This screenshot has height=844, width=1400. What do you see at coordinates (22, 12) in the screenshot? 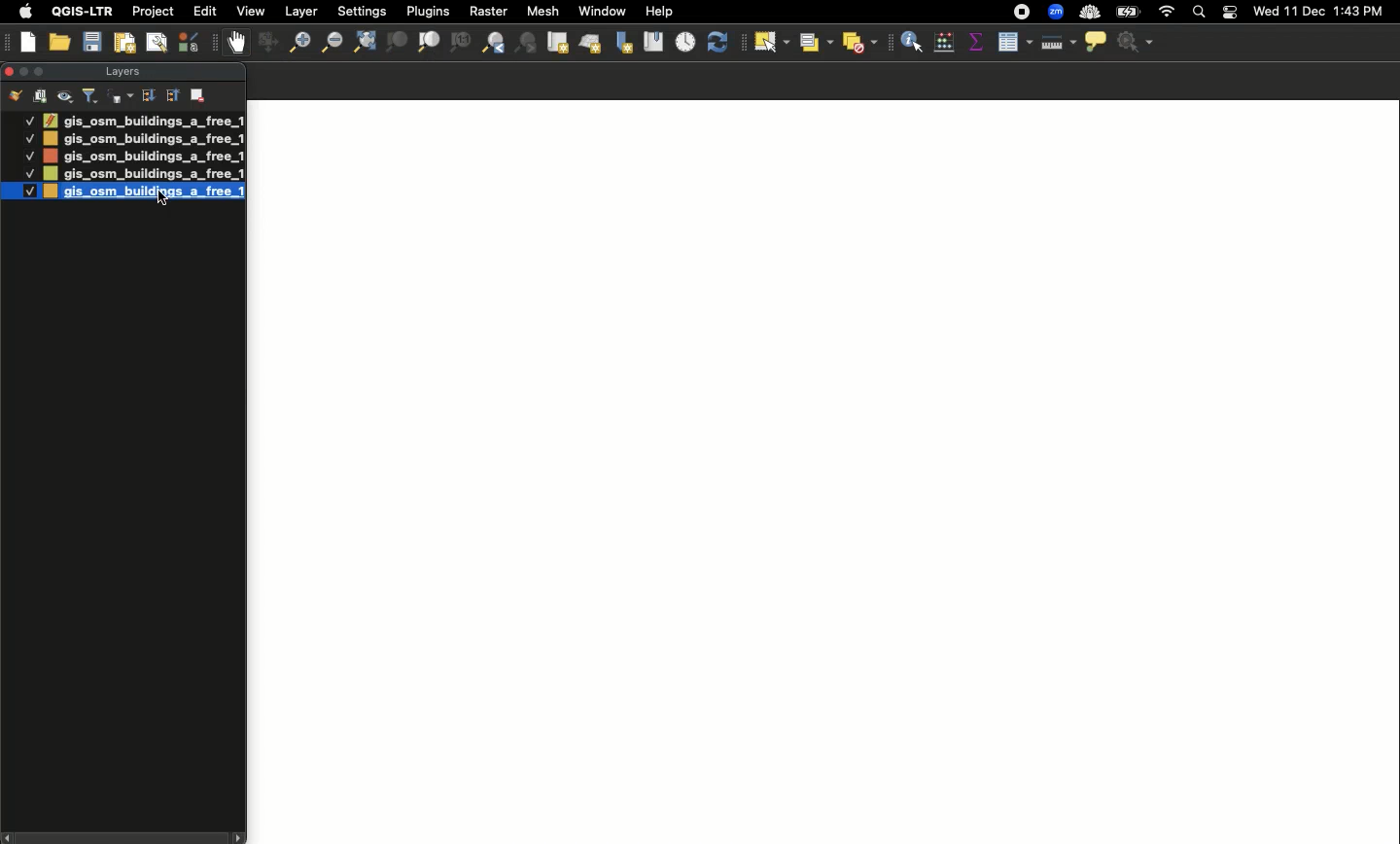
I see `Apple` at bounding box center [22, 12].